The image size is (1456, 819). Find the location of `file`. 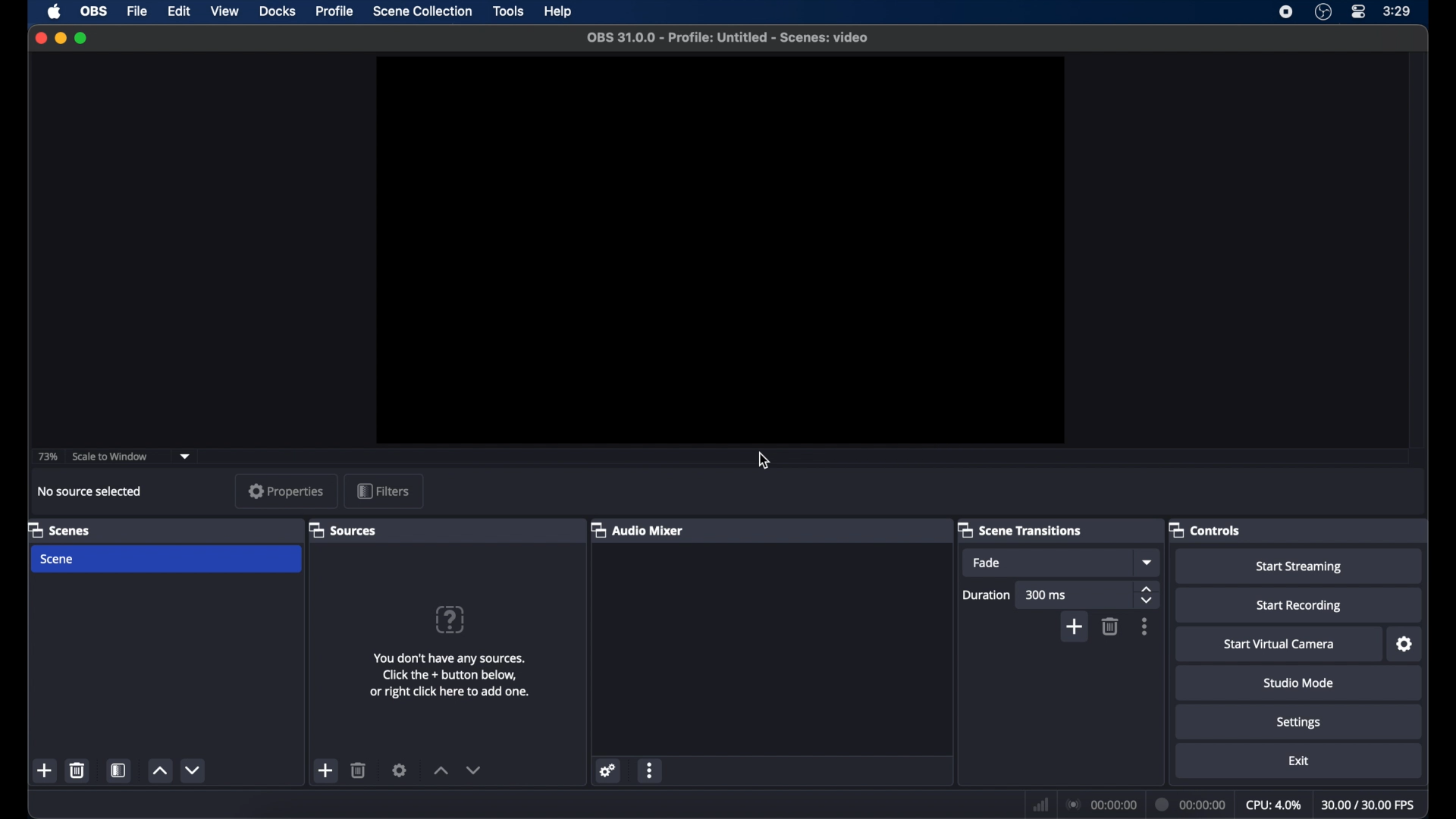

file is located at coordinates (136, 11).